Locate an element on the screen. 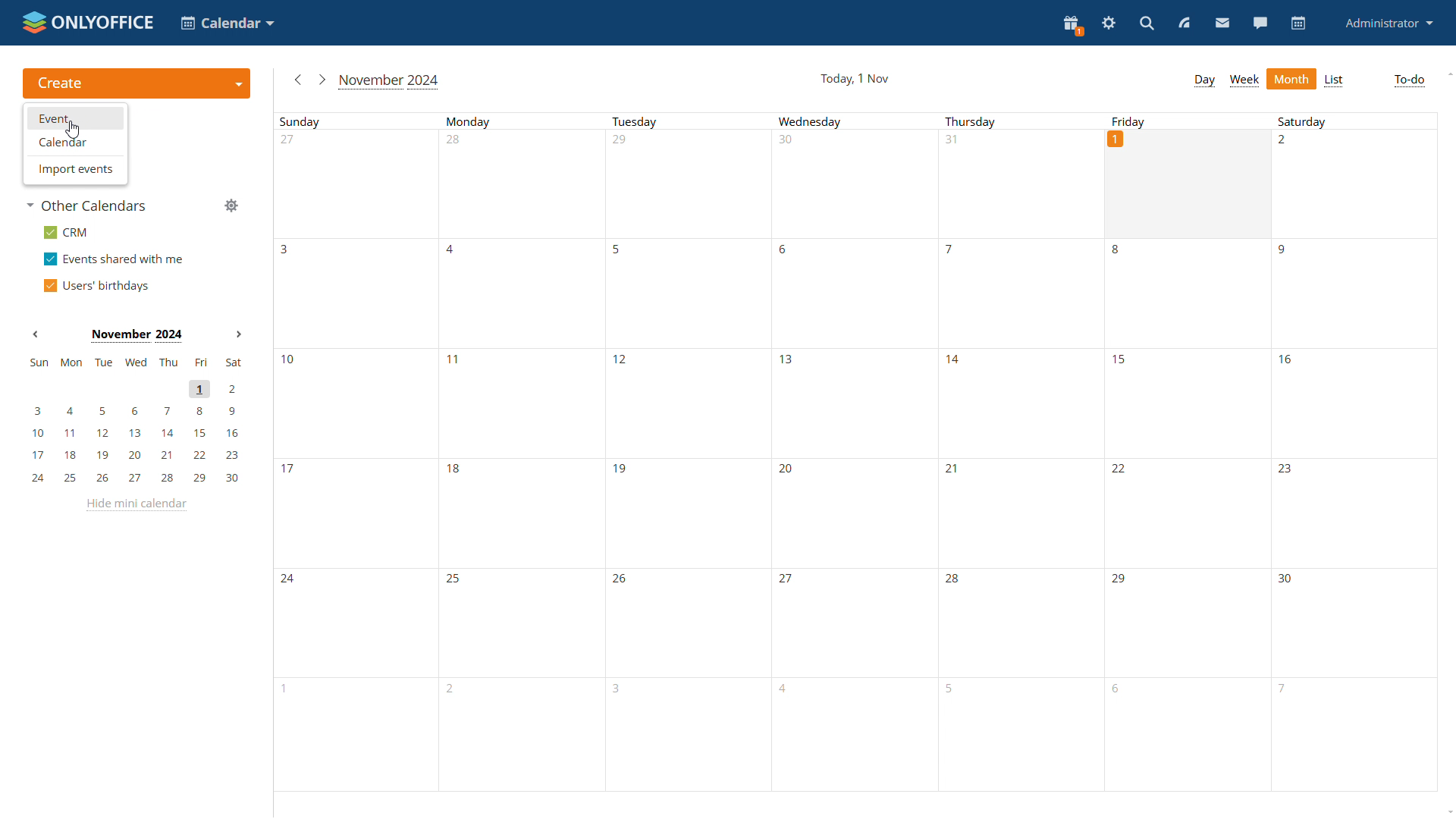 This screenshot has width=1456, height=819. search is located at coordinates (1148, 23).